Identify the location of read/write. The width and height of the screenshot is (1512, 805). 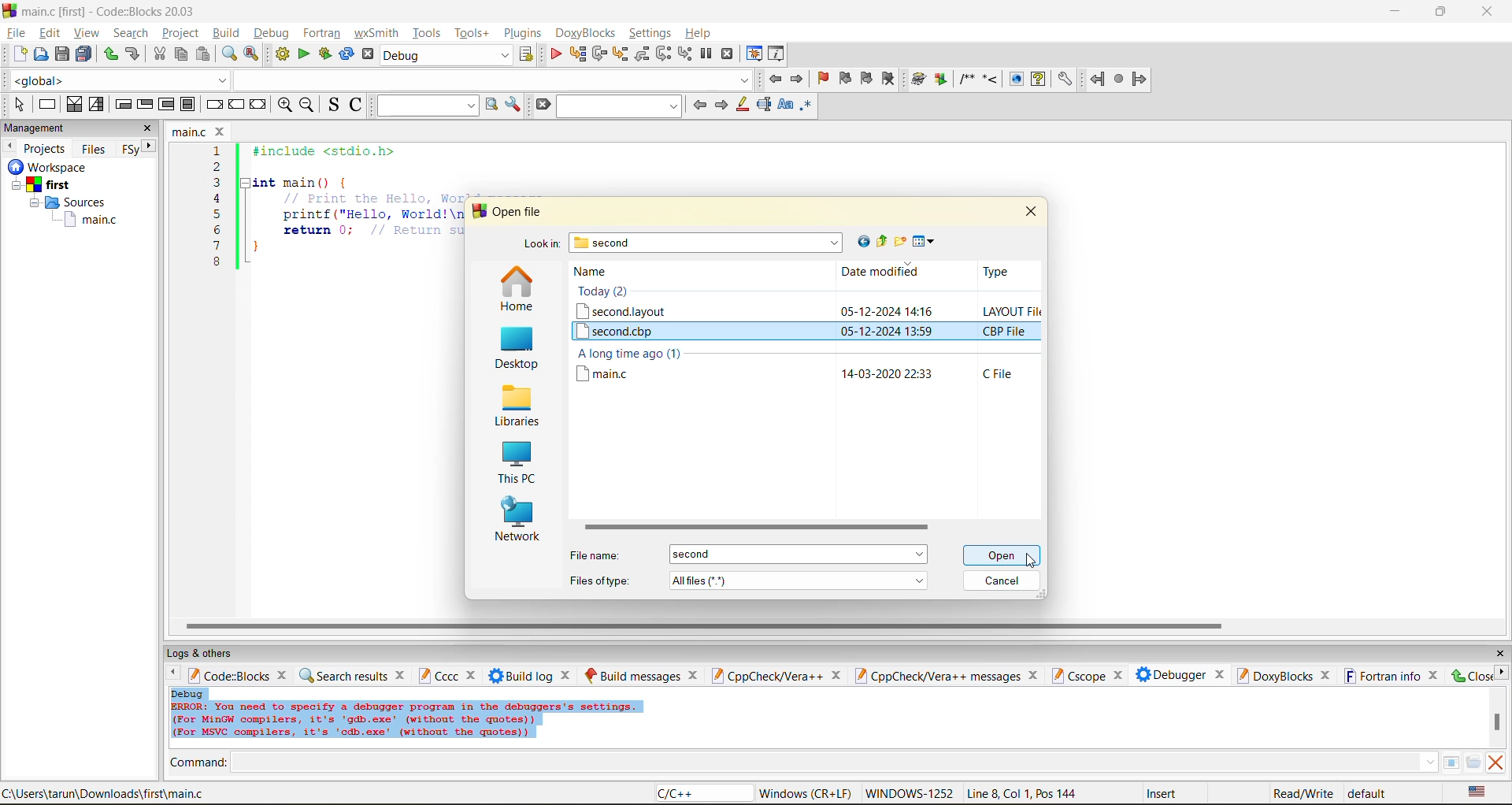
(1303, 793).